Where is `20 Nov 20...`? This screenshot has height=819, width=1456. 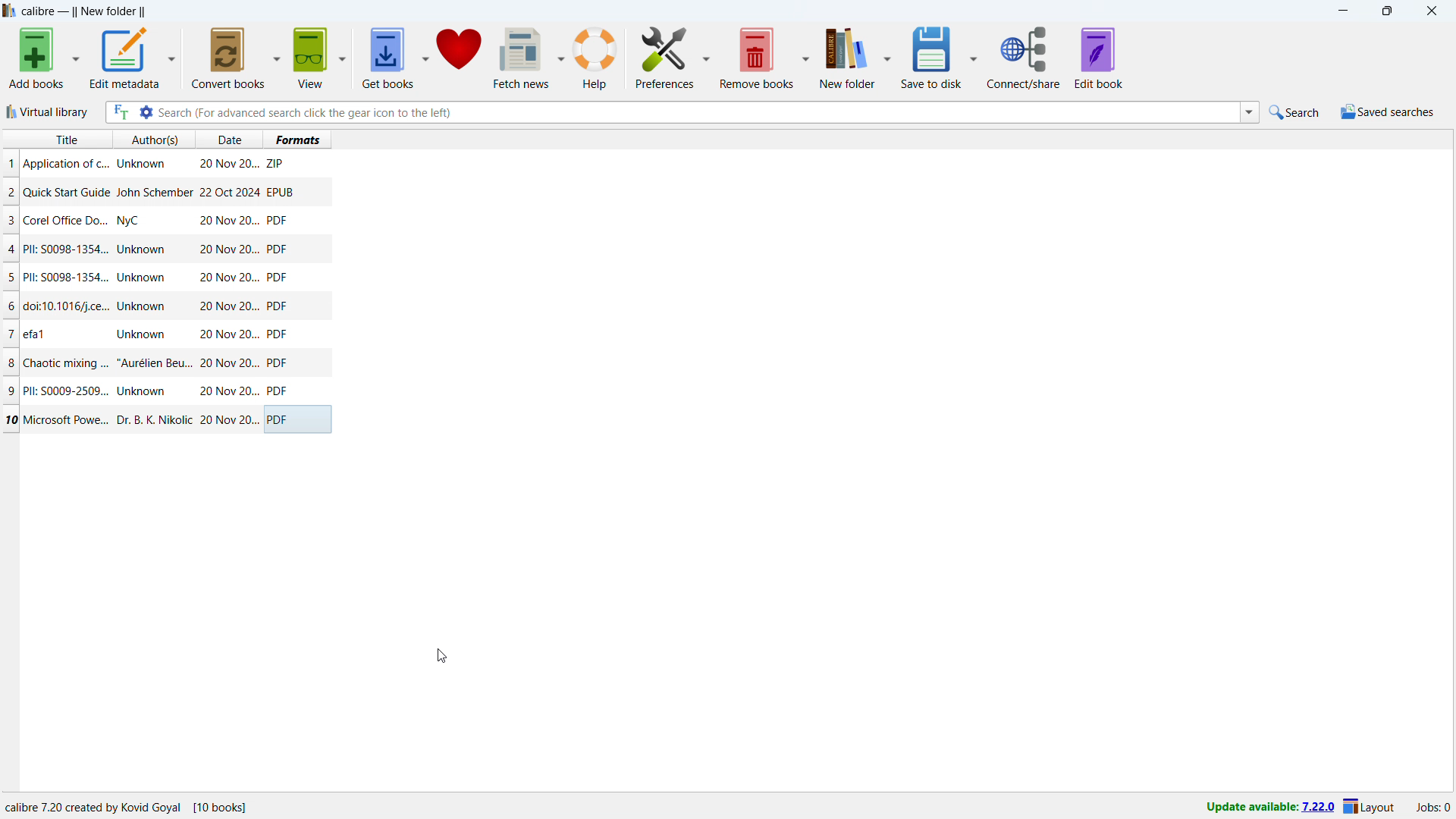
20 Nov 20... is located at coordinates (227, 363).